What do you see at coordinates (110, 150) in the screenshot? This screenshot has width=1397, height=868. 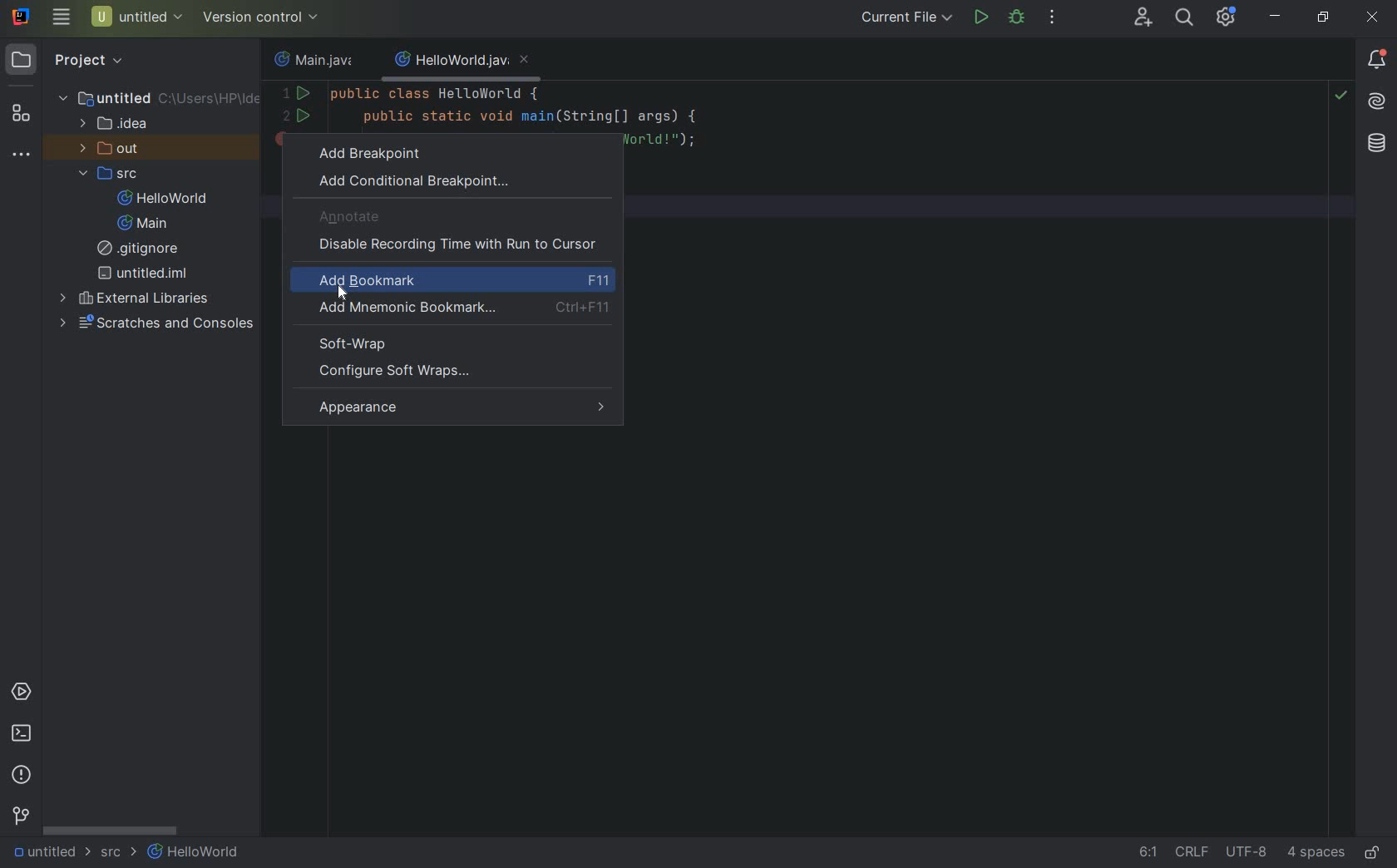 I see `out` at bounding box center [110, 150].